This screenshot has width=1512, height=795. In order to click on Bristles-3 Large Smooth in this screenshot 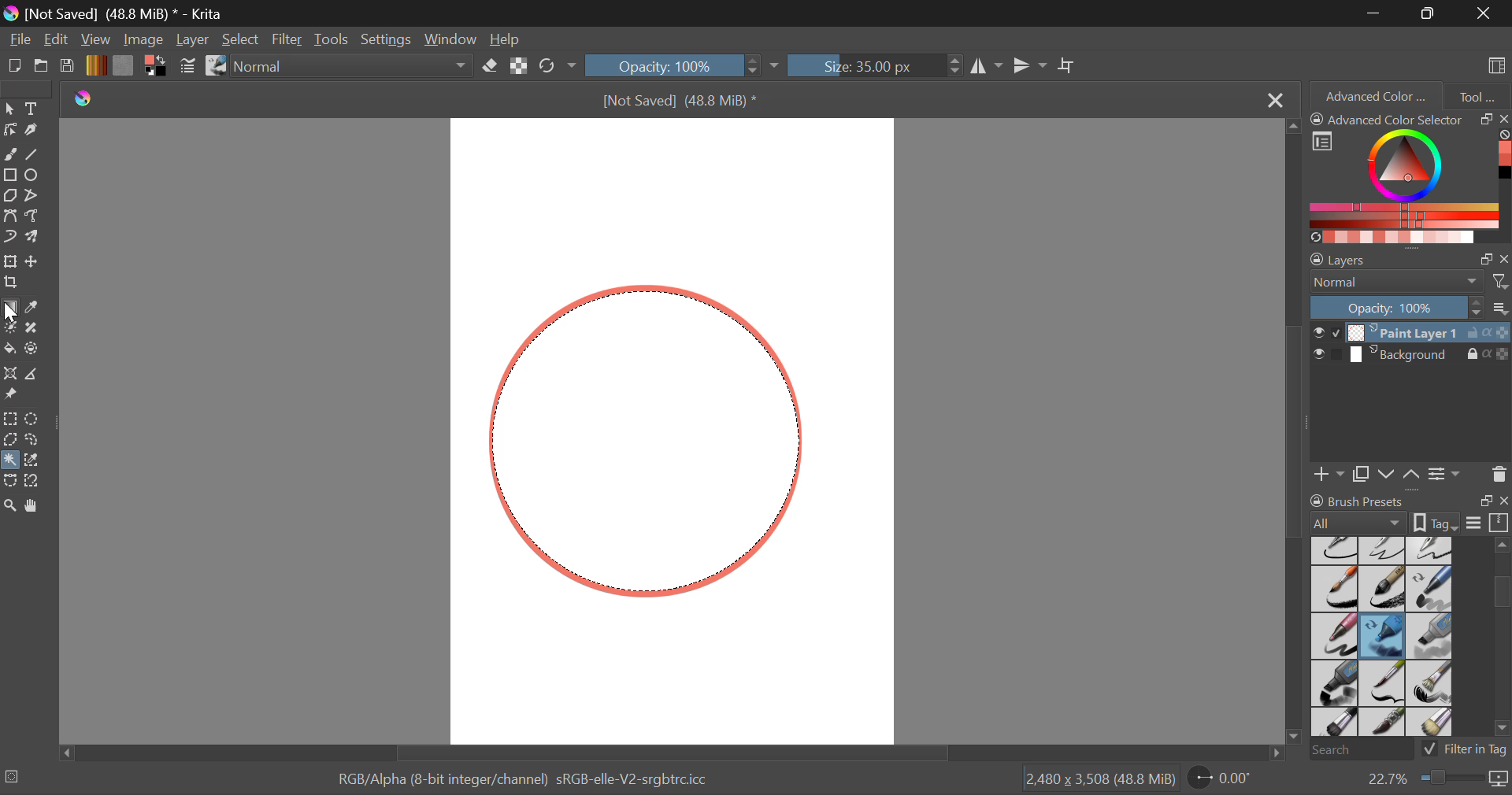, I will do `click(1333, 723)`.